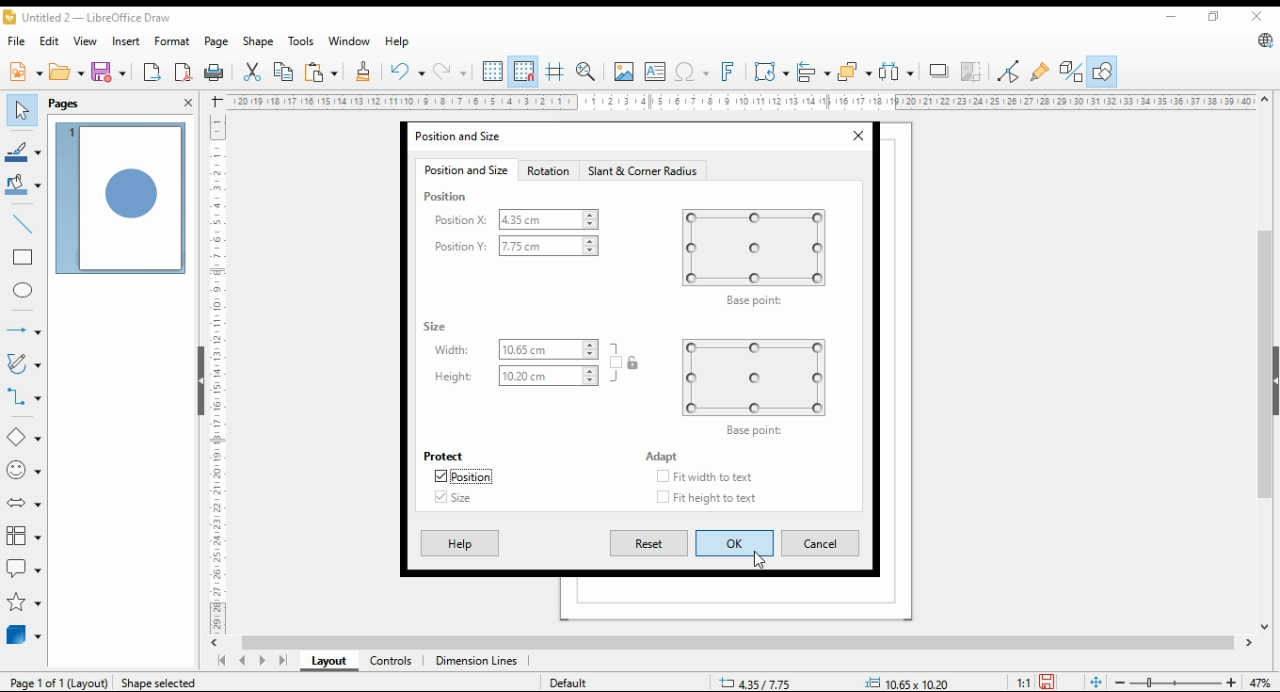 The height and width of the screenshot is (692, 1280). I want to click on height: 10.20cm, so click(510, 376).